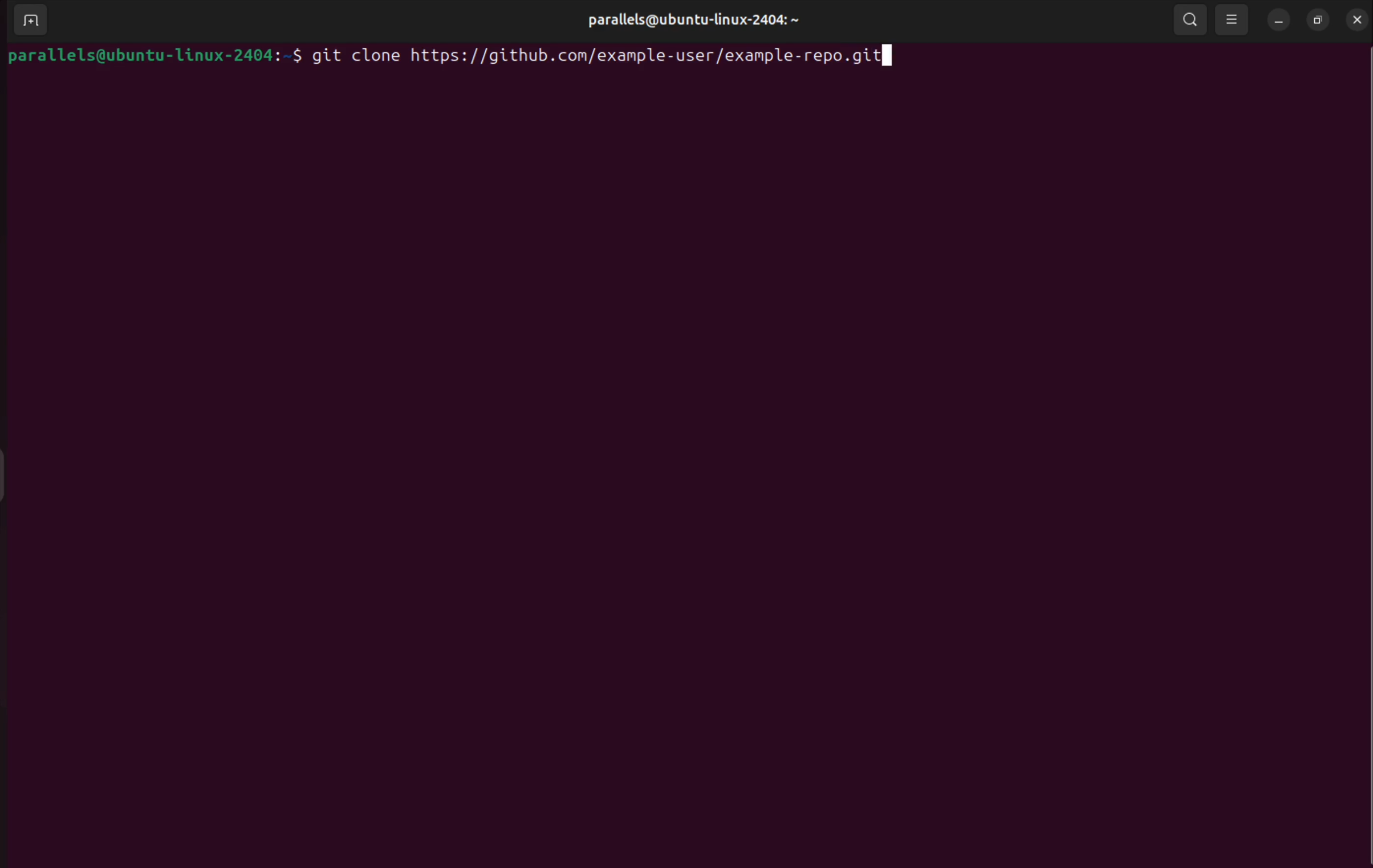 The height and width of the screenshot is (868, 1373). What do you see at coordinates (1276, 22) in the screenshot?
I see `minimum` at bounding box center [1276, 22].